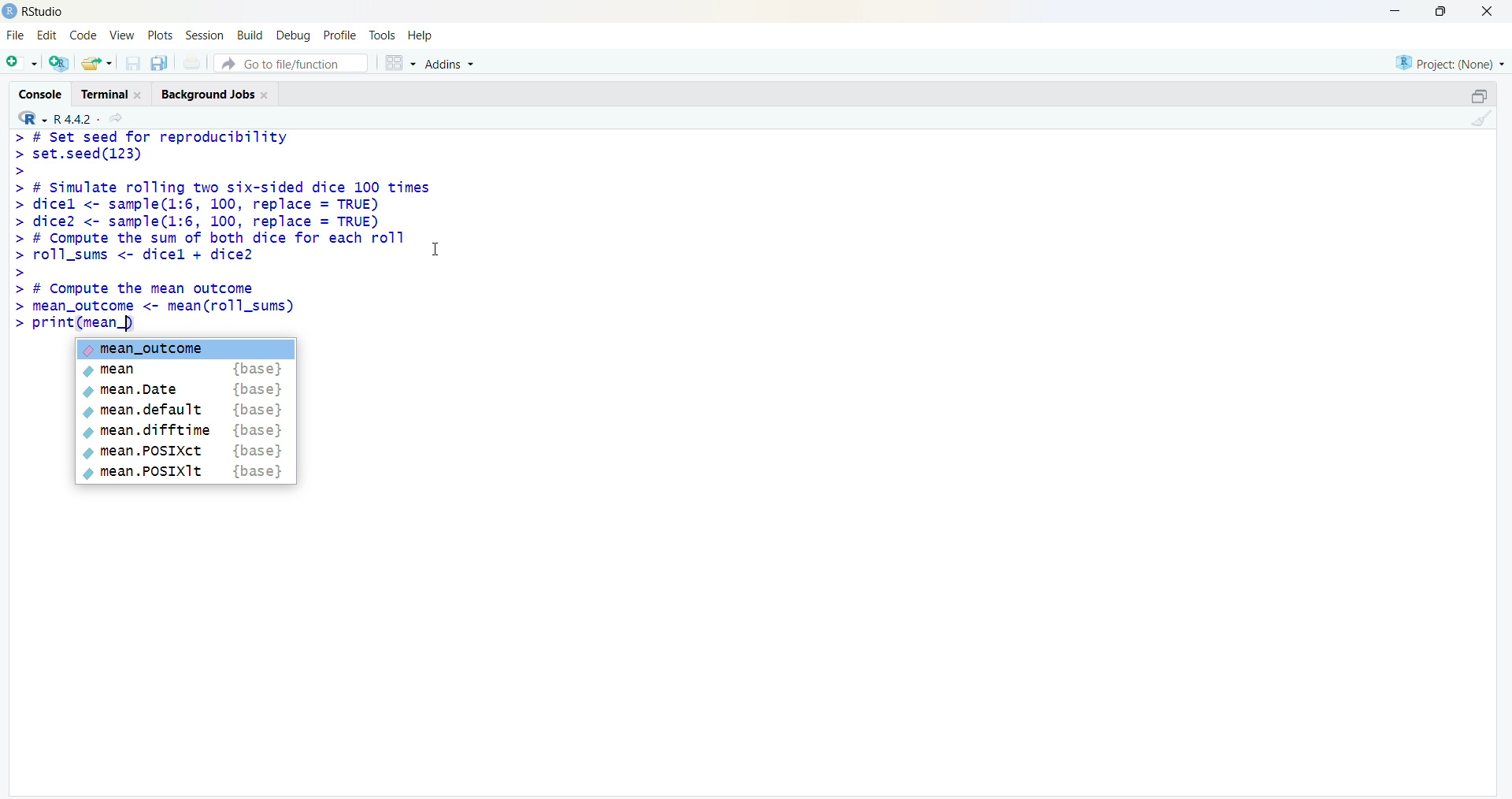  Describe the element at coordinates (117, 119) in the screenshot. I see `share icon ` at that location.